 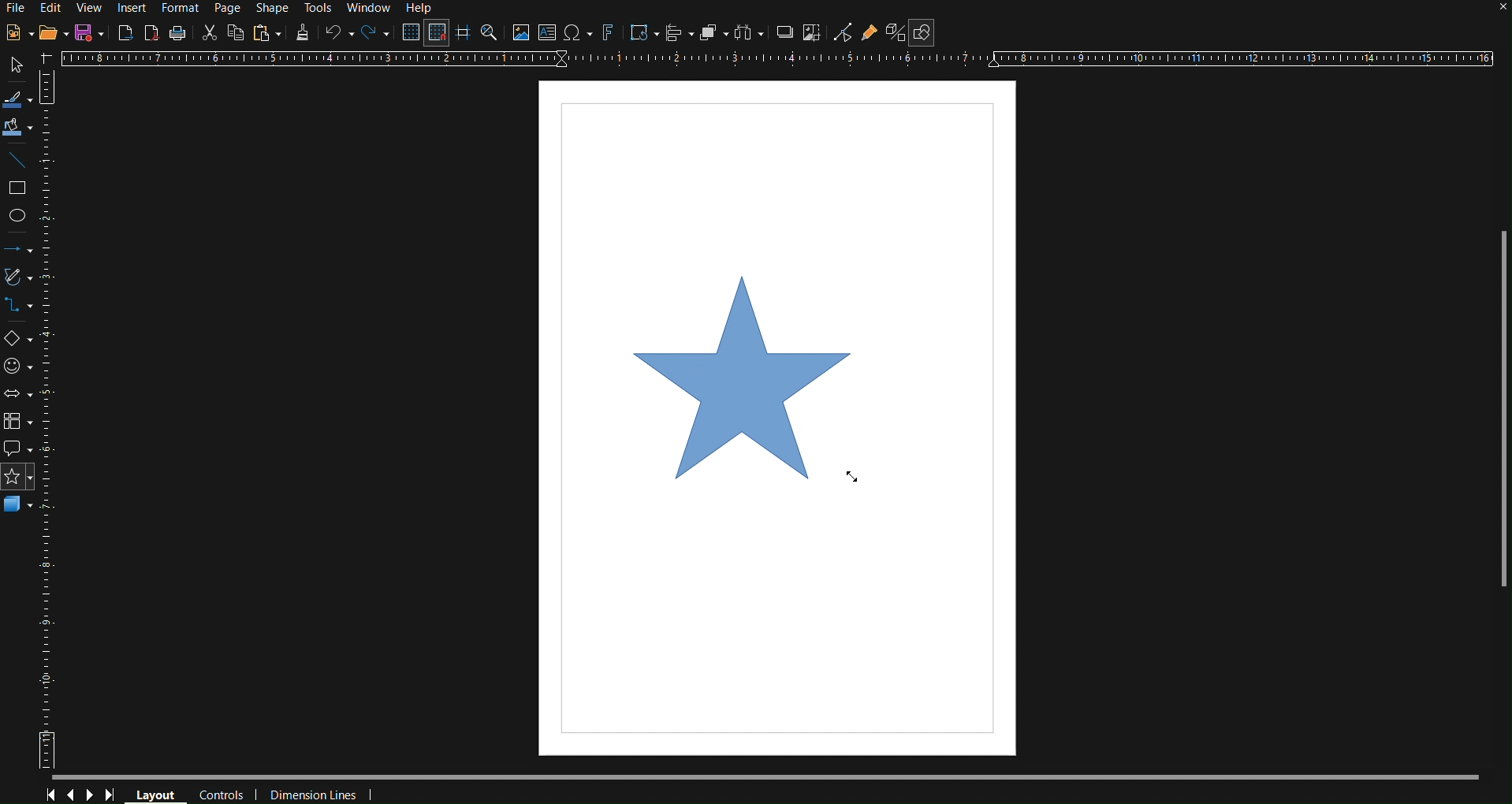 I want to click on Toggle Point Edit Mode, so click(x=844, y=33).